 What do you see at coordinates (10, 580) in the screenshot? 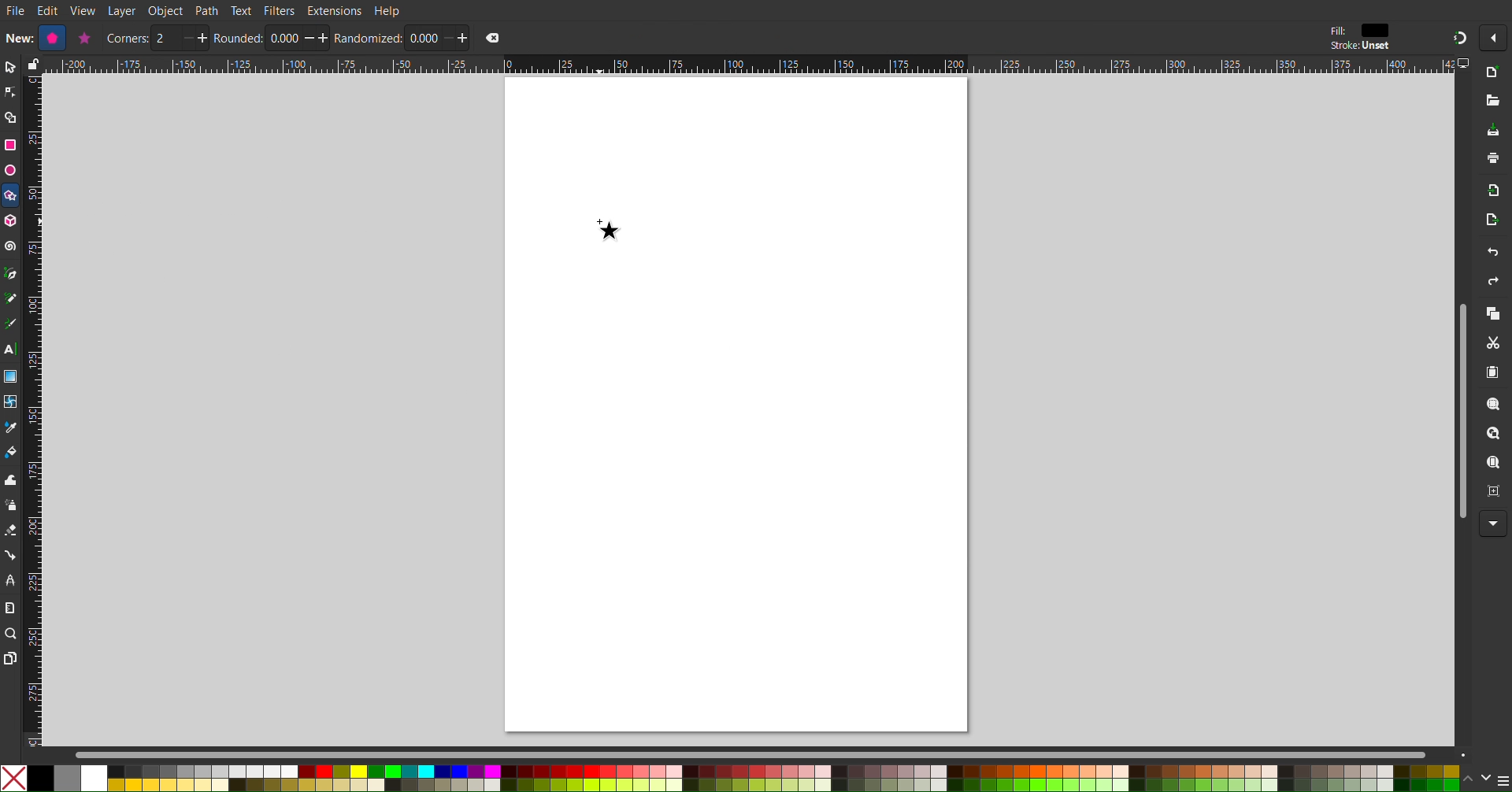
I see `LPE Tool` at bounding box center [10, 580].